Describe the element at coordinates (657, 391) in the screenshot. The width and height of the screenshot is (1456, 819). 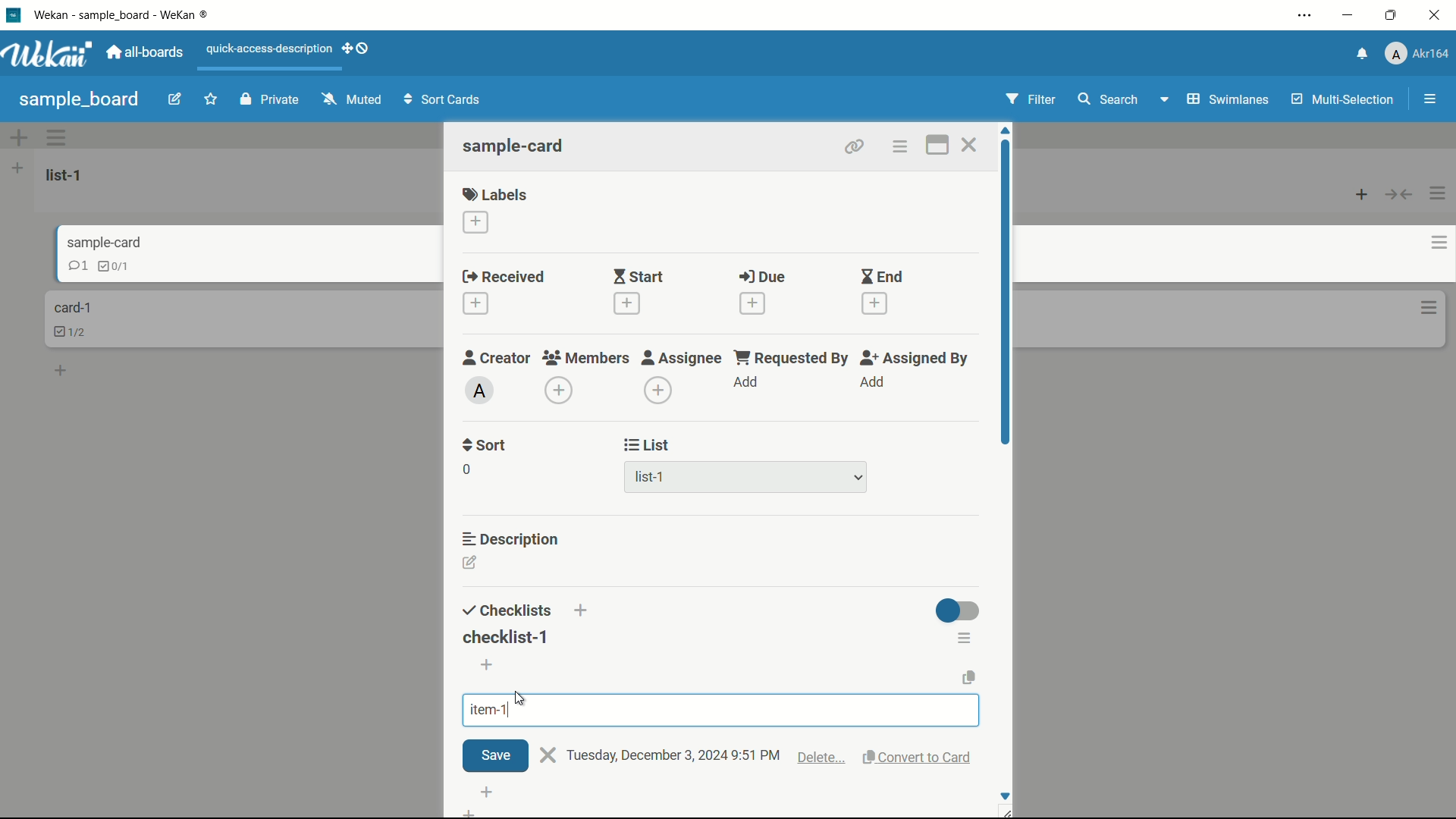
I see `dd assignee` at that location.